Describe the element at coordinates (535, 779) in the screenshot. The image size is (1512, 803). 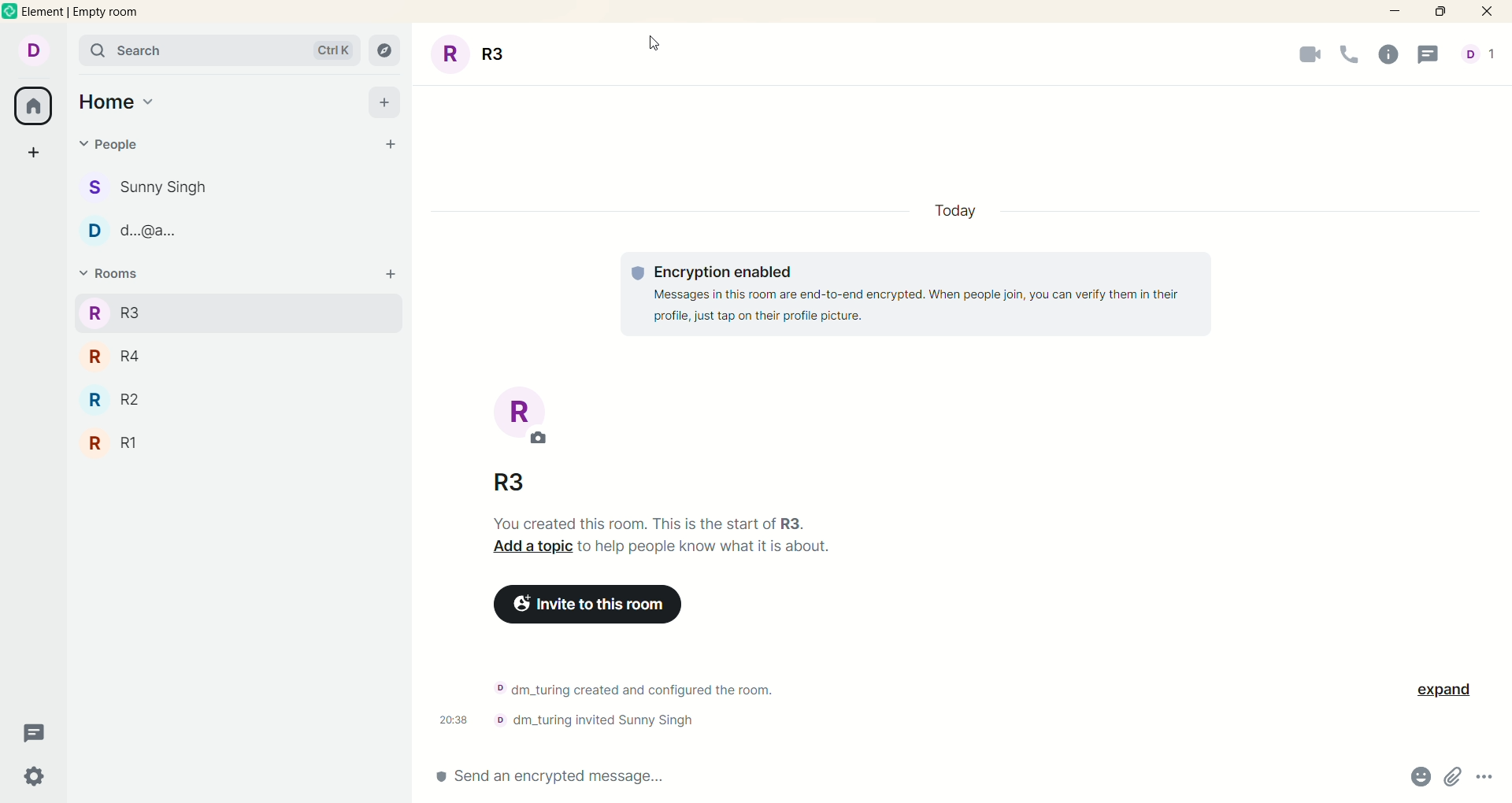
I see `® Send an encrypted message...` at that location.